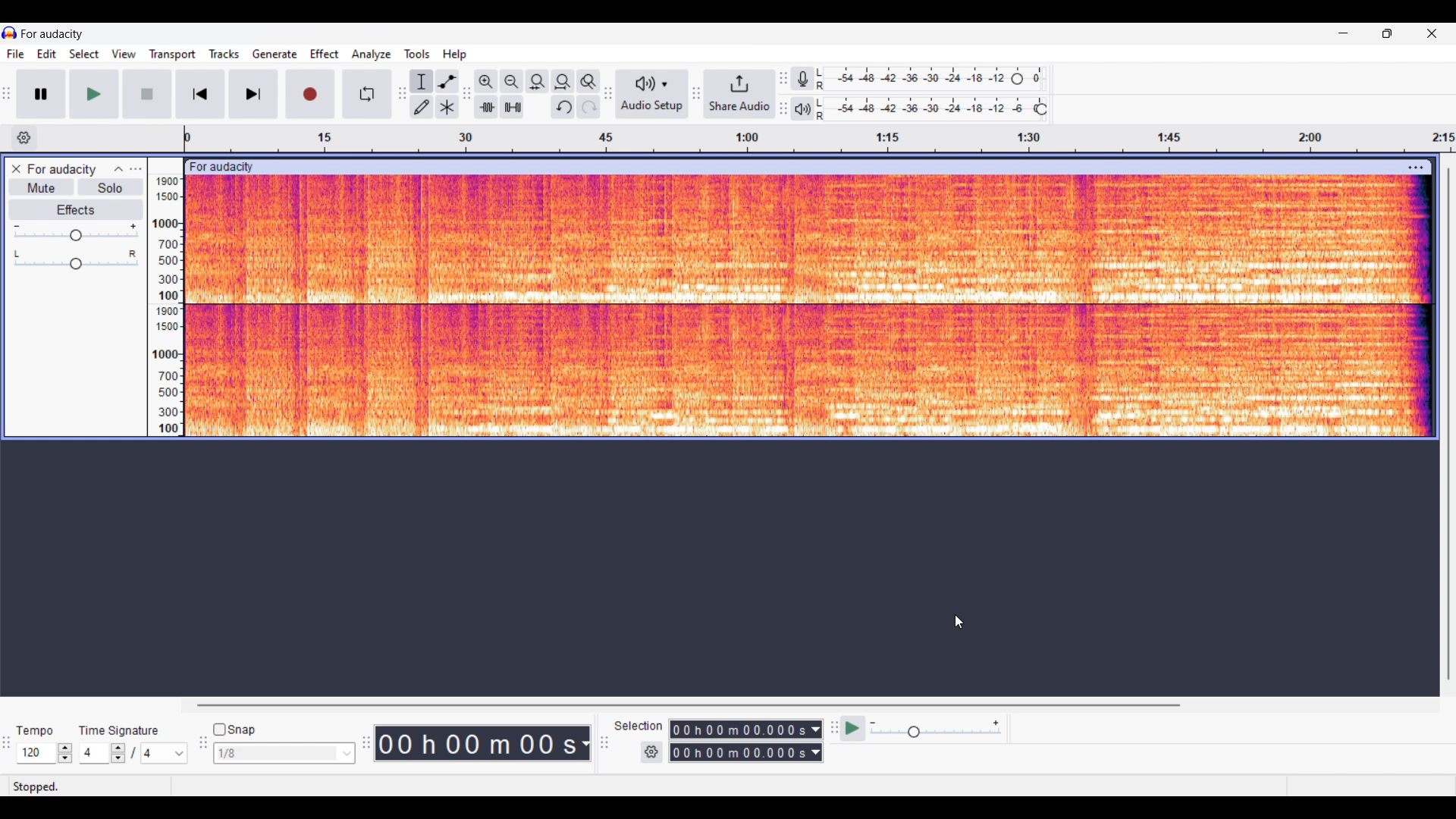 The image size is (1456, 819). What do you see at coordinates (224, 786) in the screenshot?
I see `Status bar information` at bounding box center [224, 786].